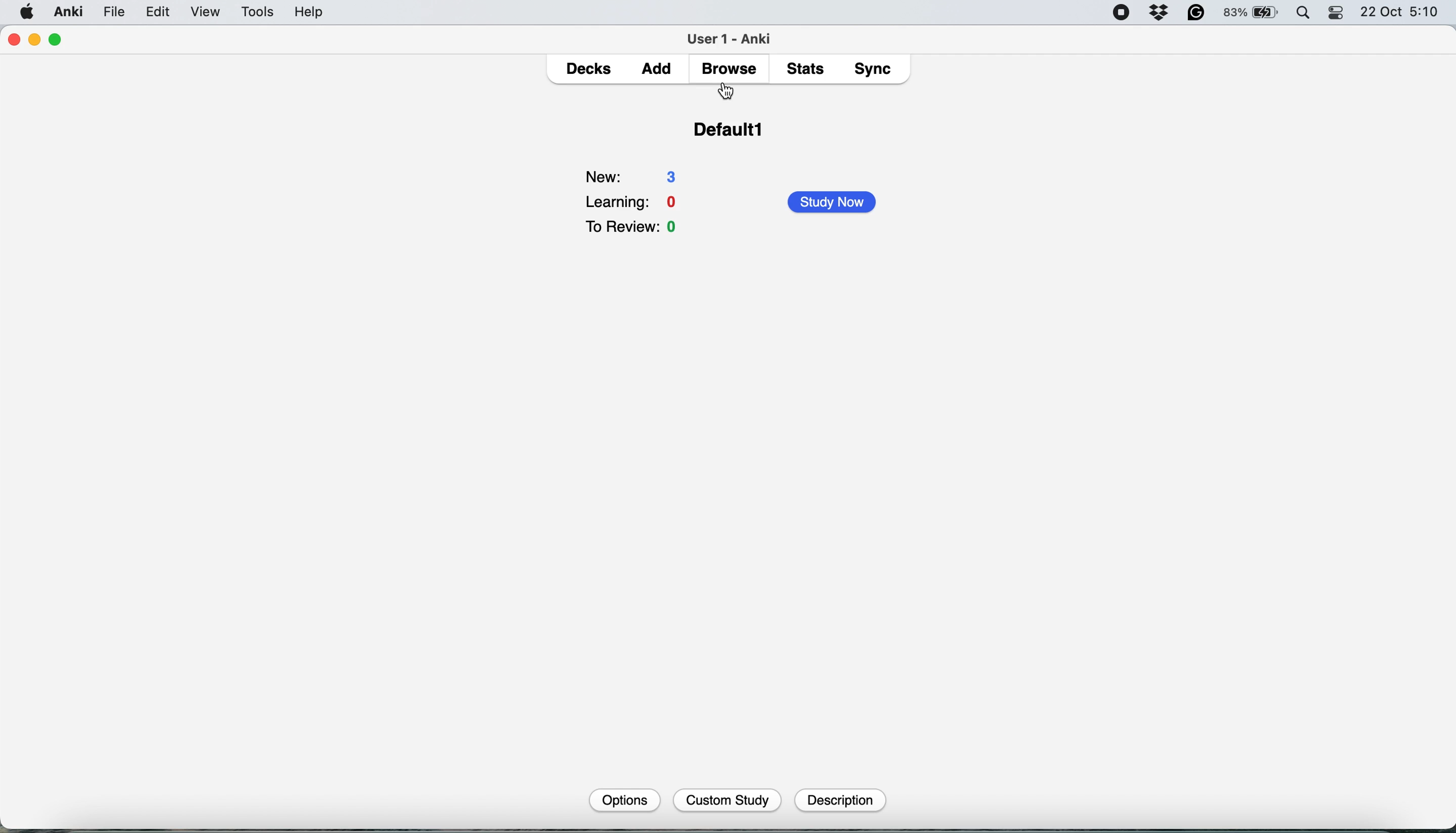  Describe the element at coordinates (70, 11) in the screenshot. I see `anki` at that location.